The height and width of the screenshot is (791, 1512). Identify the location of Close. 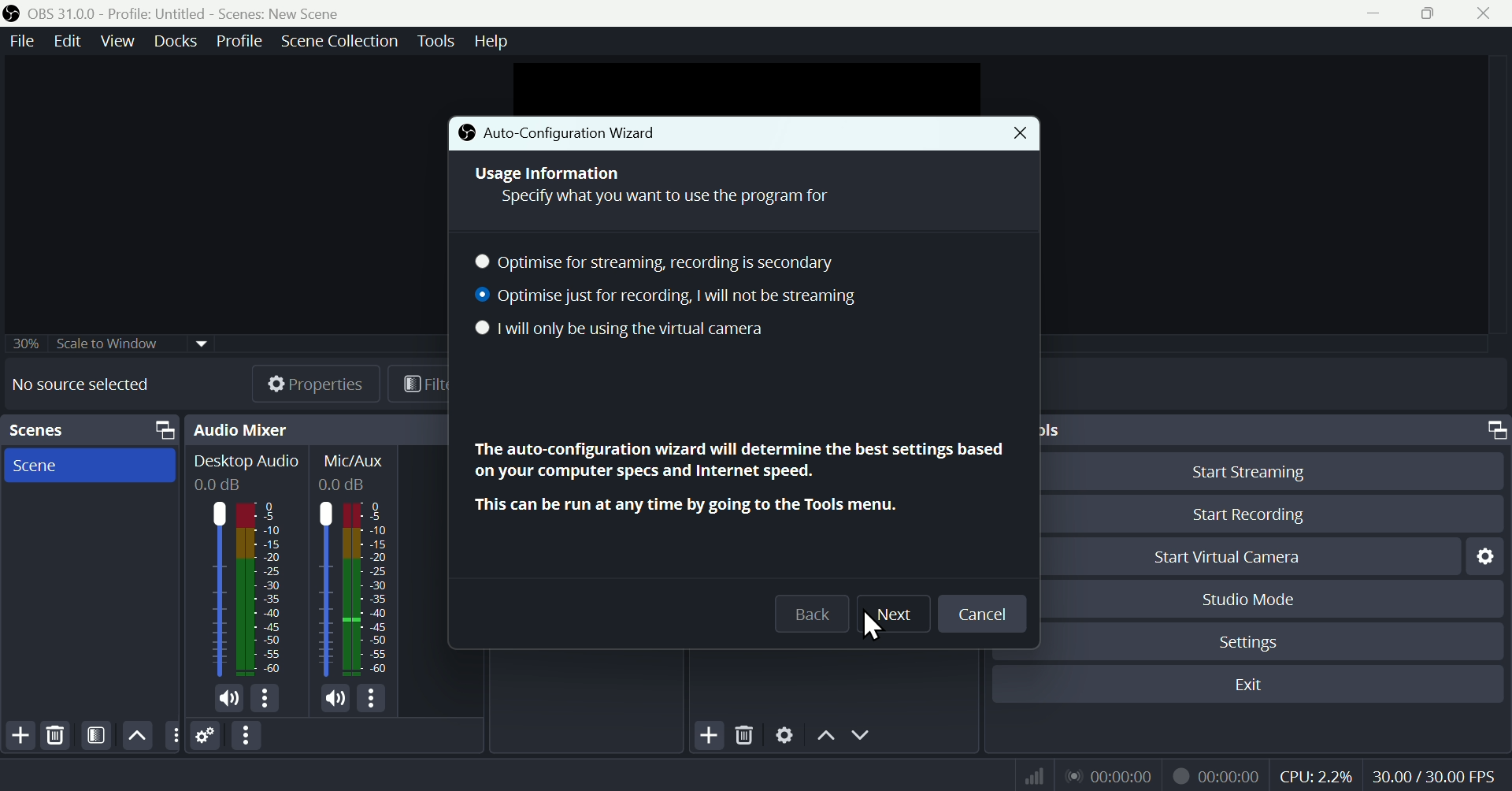
(1011, 134).